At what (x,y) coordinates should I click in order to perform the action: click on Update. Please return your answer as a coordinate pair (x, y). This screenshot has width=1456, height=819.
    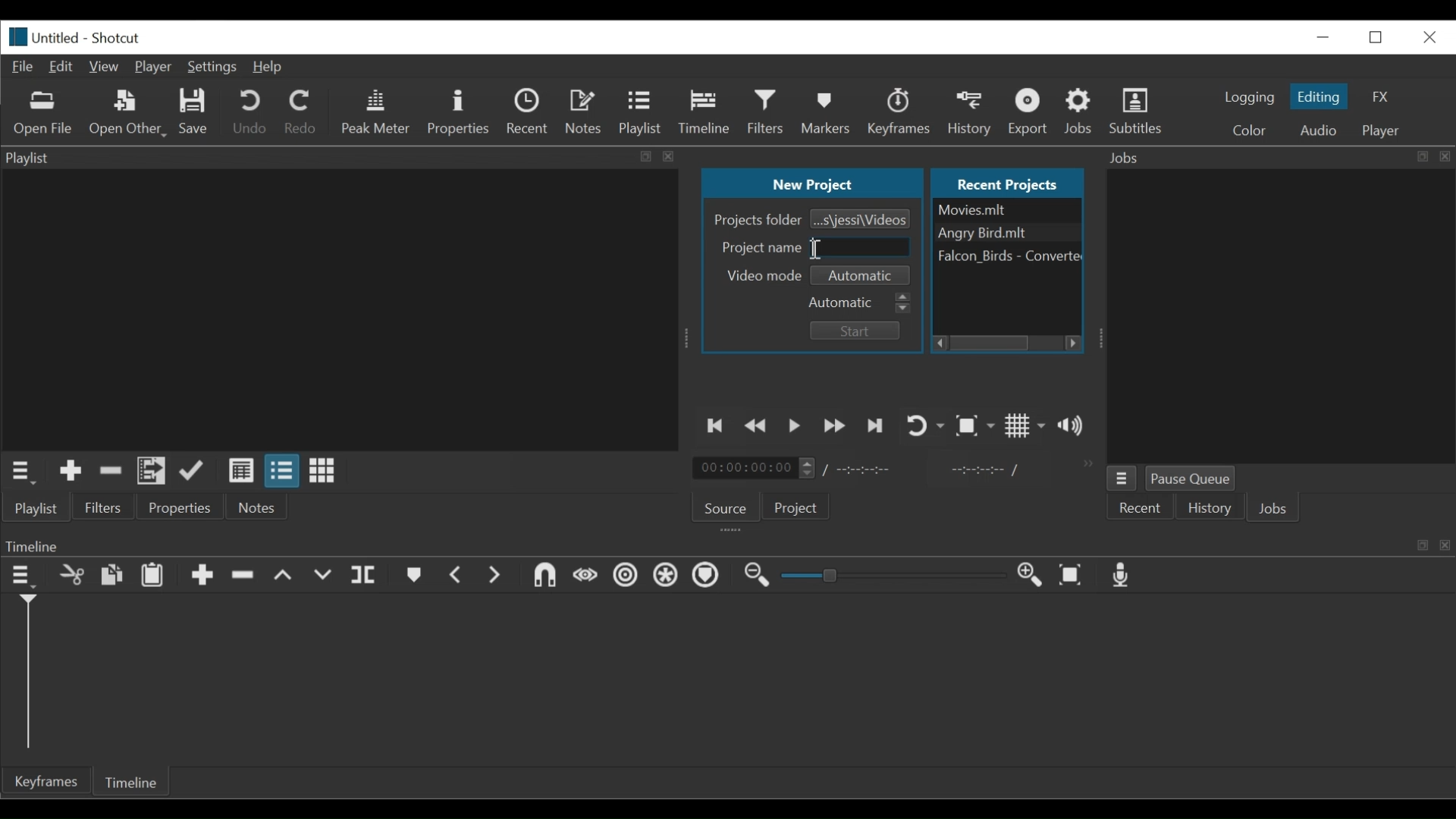
    Looking at the image, I should click on (193, 472).